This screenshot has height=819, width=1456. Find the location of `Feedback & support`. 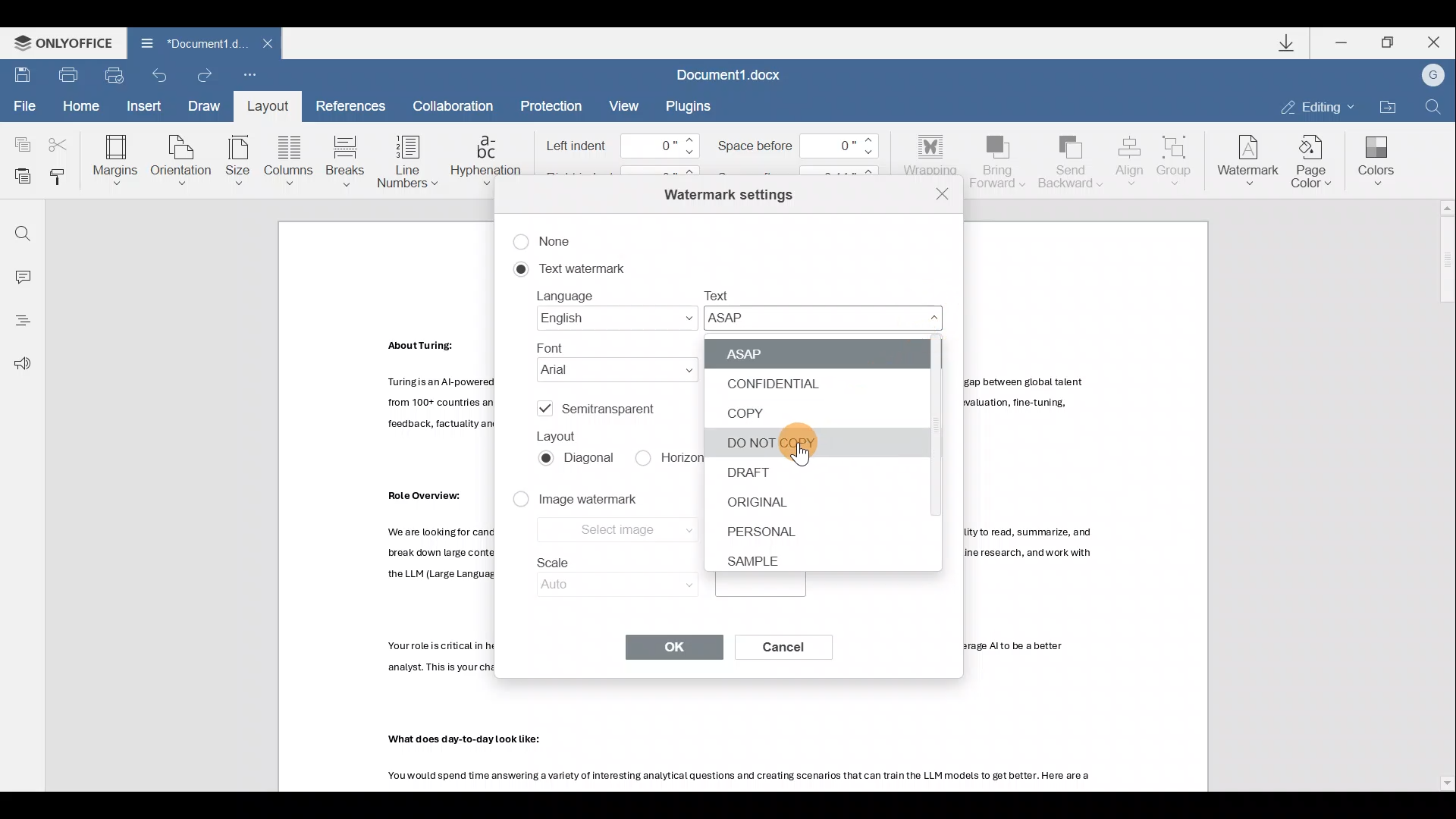

Feedback & support is located at coordinates (21, 365).